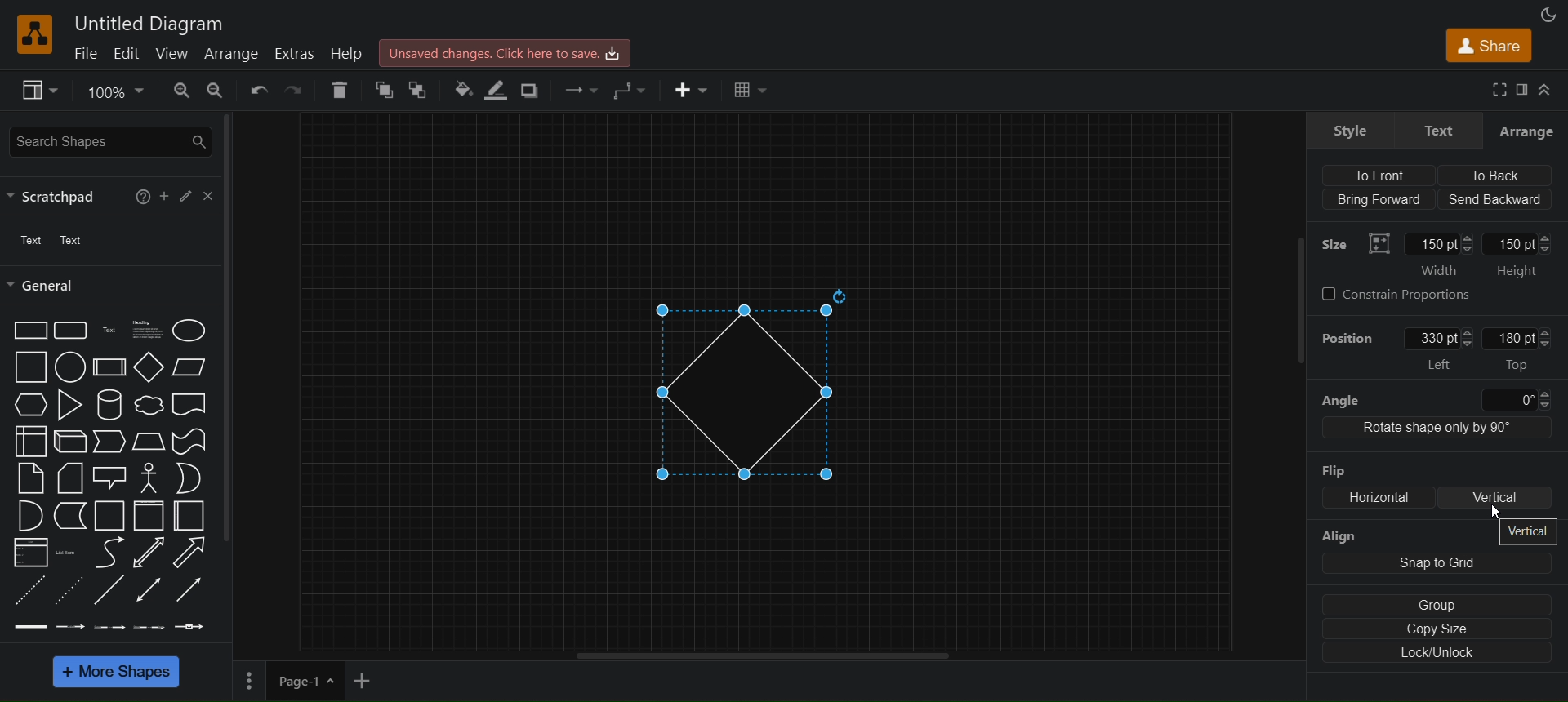 The image size is (1568, 702). I want to click on help, so click(143, 196).